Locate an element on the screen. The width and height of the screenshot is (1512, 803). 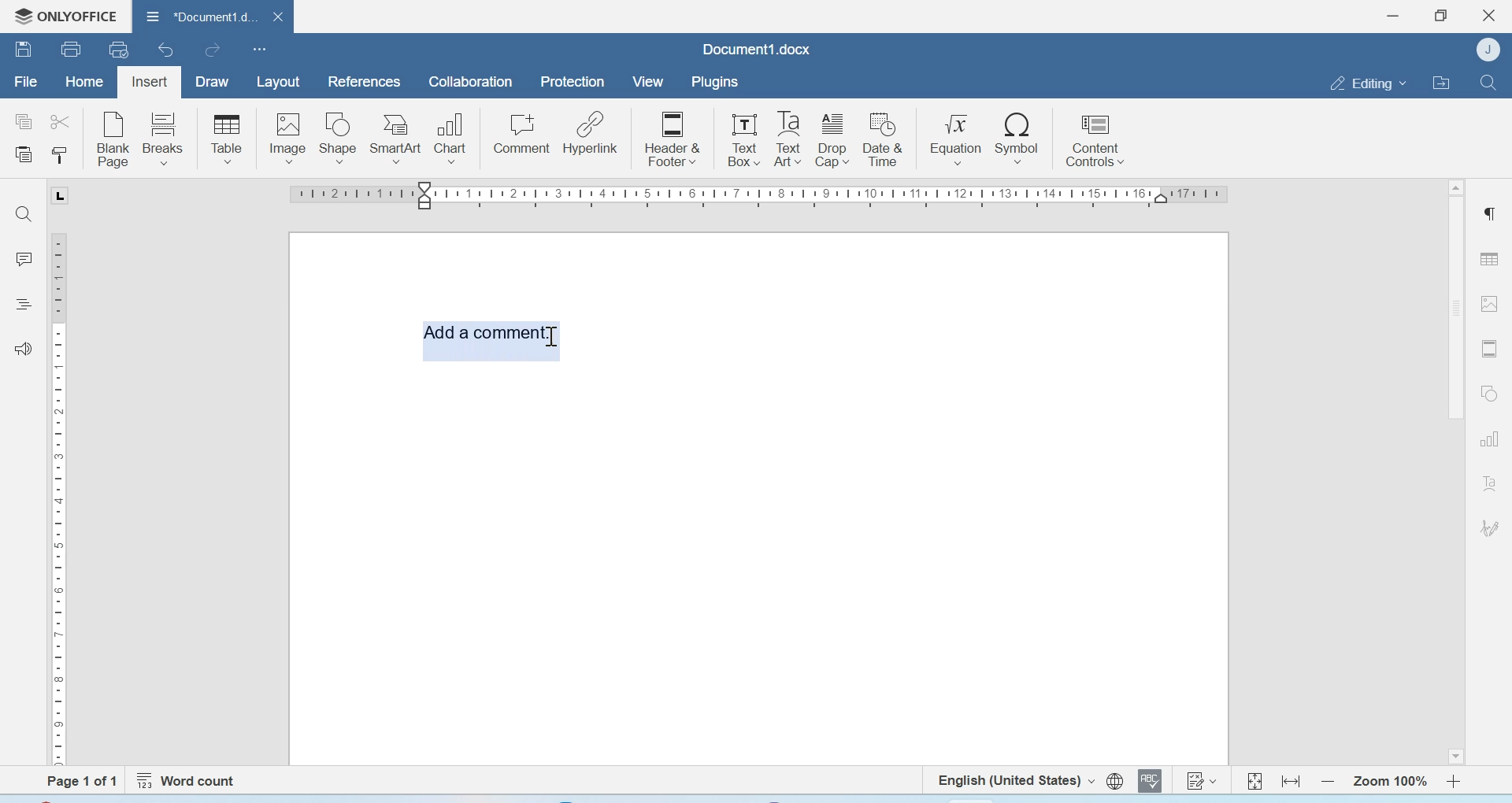
Graphs is located at coordinates (1489, 439).